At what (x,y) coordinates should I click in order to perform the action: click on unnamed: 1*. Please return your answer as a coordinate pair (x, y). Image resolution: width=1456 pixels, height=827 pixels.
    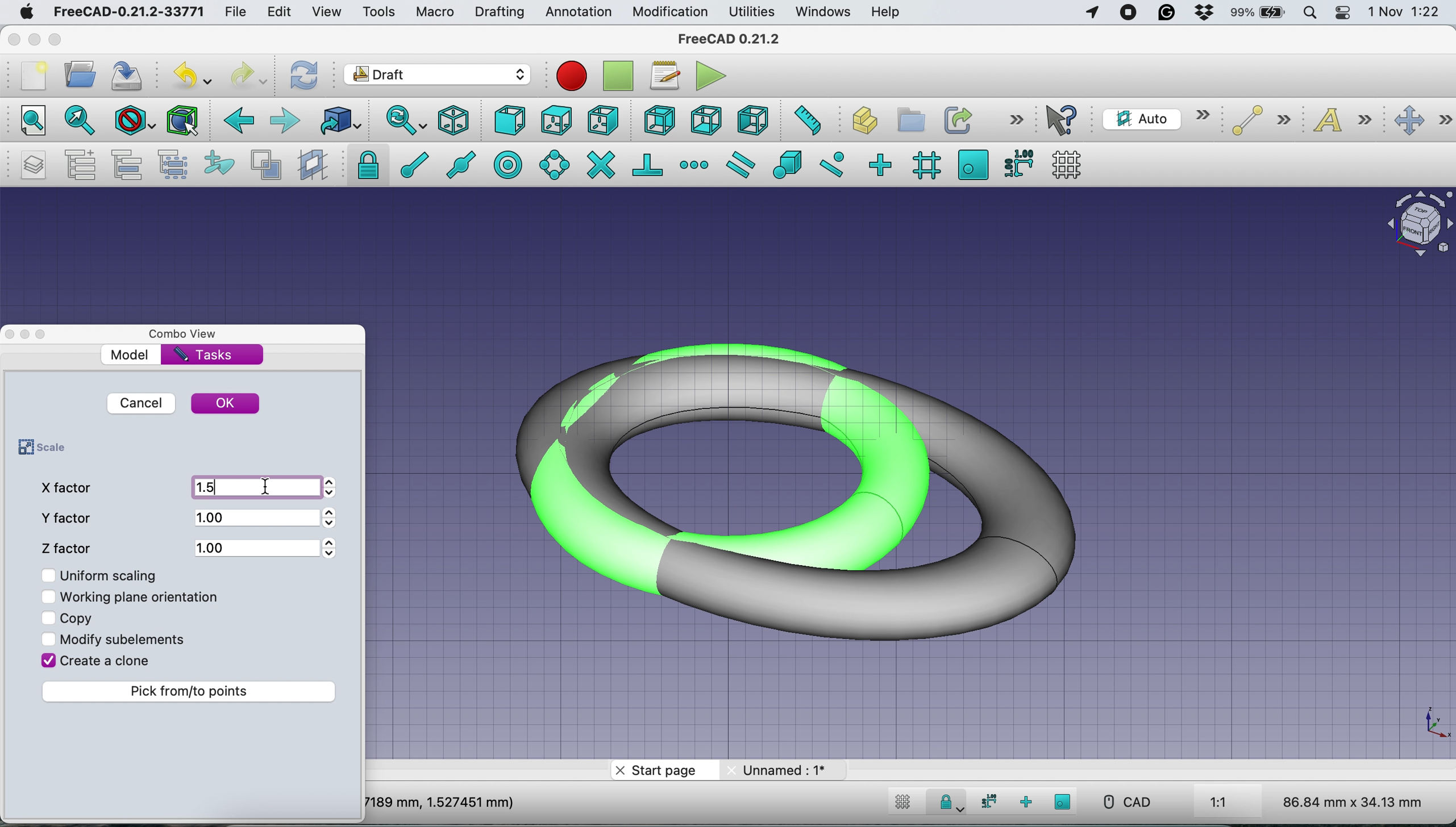
    Looking at the image, I should click on (785, 770).